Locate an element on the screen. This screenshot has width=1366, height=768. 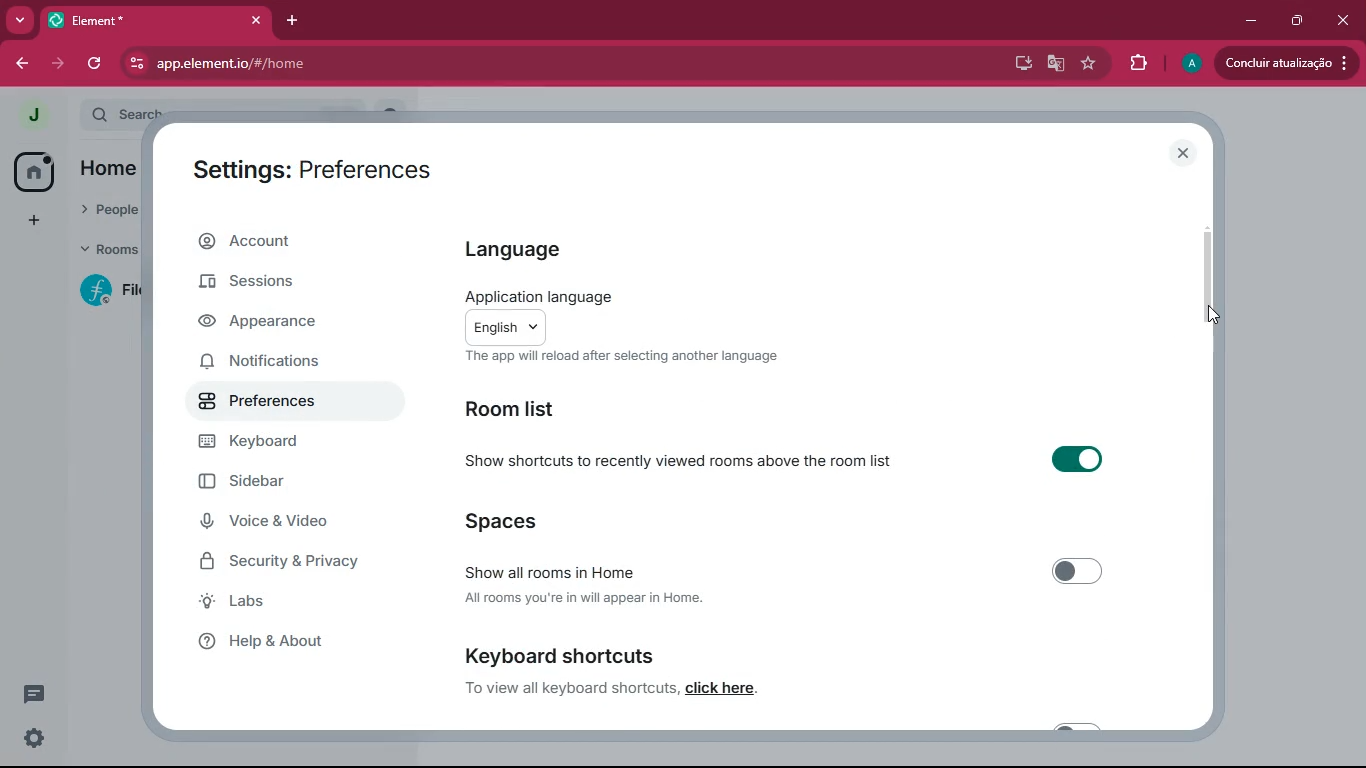
account is located at coordinates (293, 241).